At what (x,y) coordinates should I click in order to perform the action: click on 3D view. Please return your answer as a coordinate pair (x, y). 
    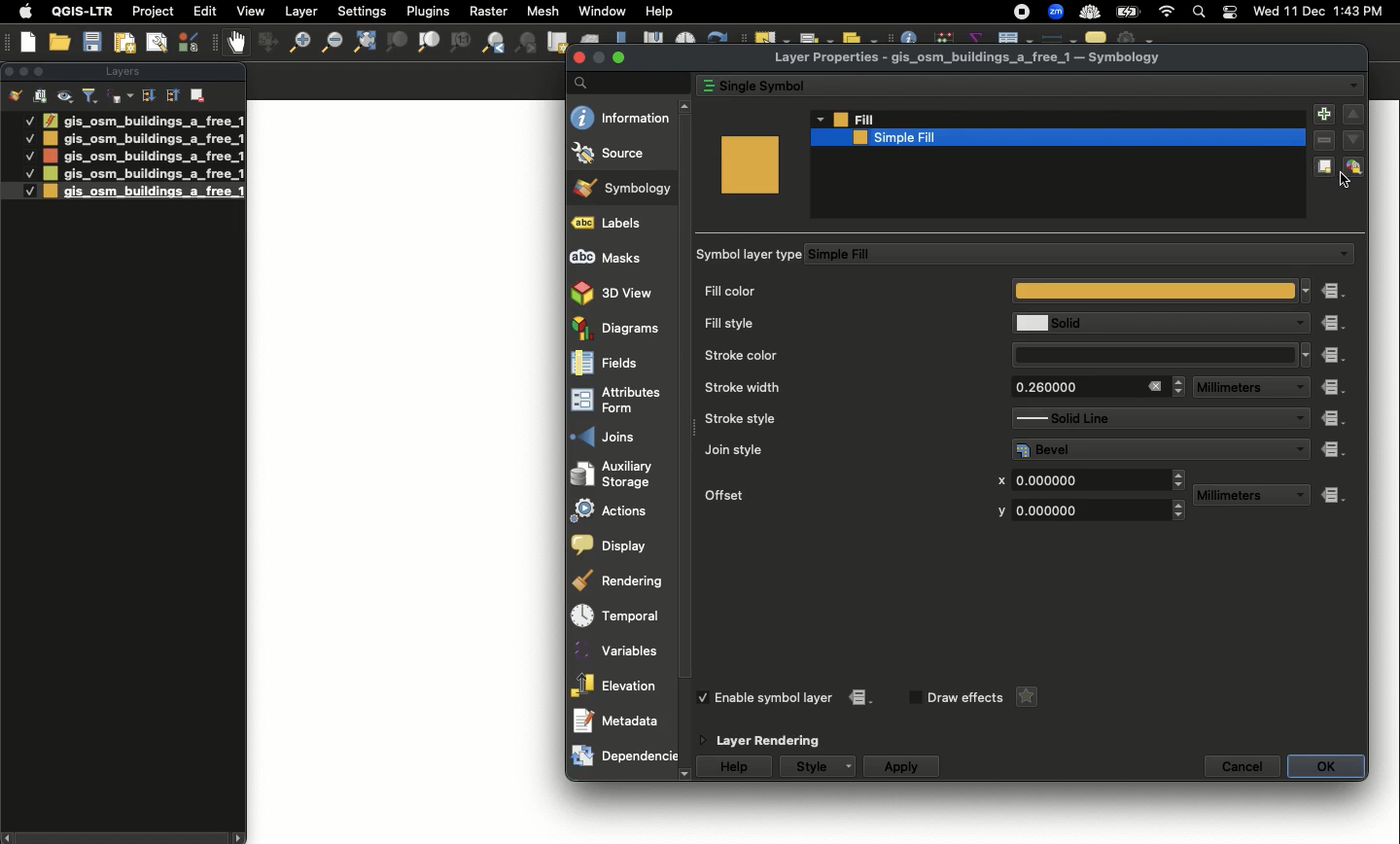
    Looking at the image, I should click on (620, 292).